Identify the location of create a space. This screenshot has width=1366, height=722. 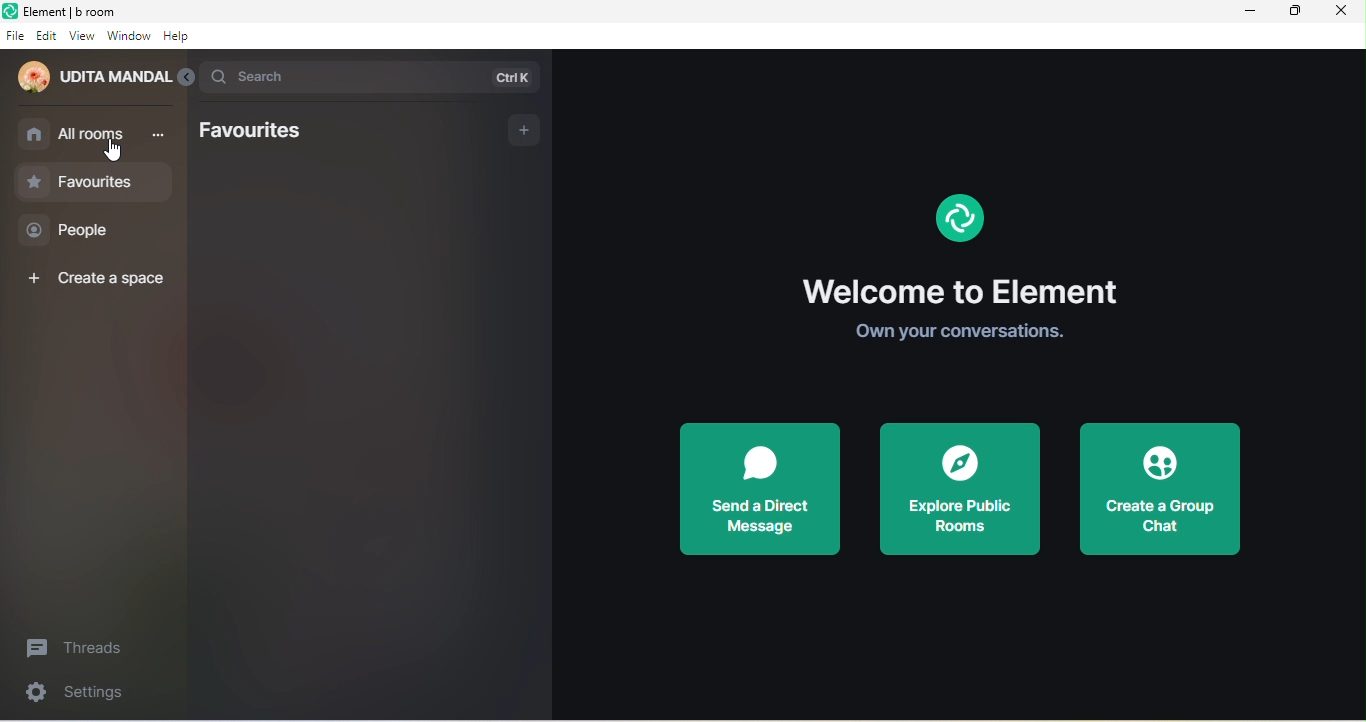
(100, 279).